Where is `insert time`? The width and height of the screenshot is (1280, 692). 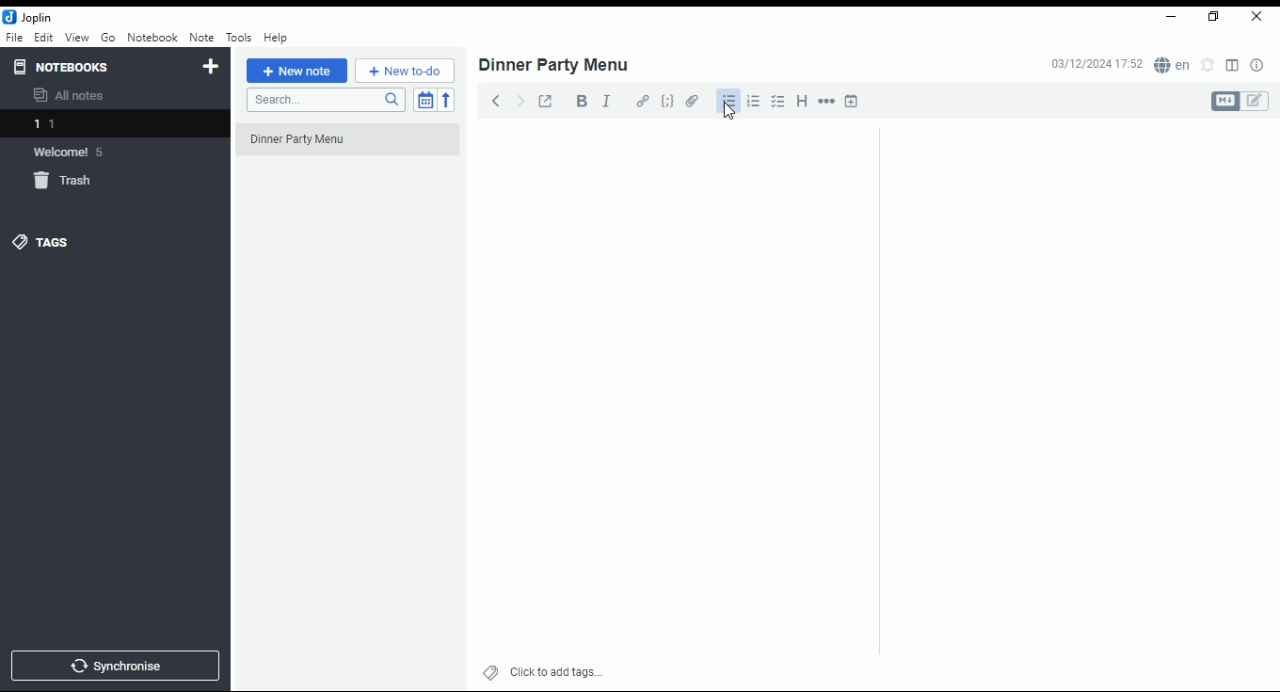
insert time is located at coordinates (851, 100).